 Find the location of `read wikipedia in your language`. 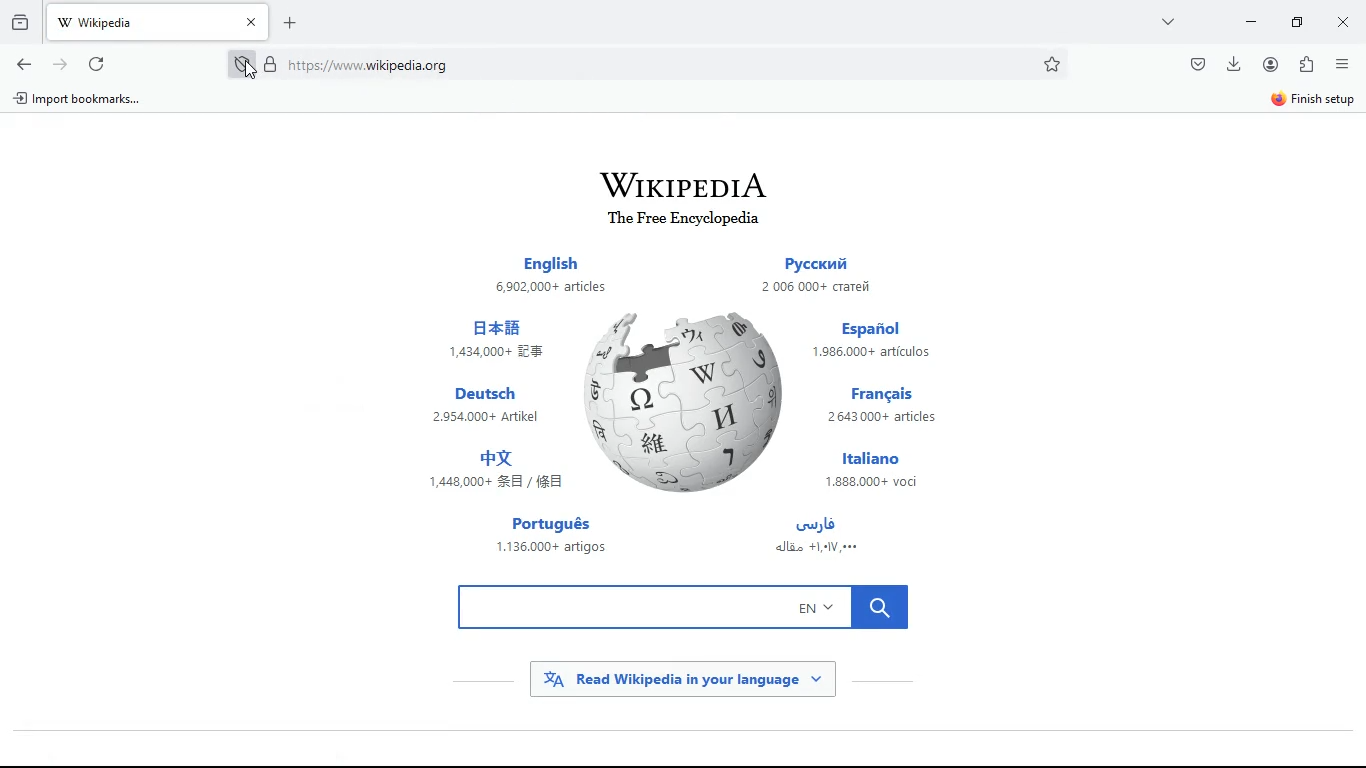

read wikipedia in your language is located at coordinates (681, 679).